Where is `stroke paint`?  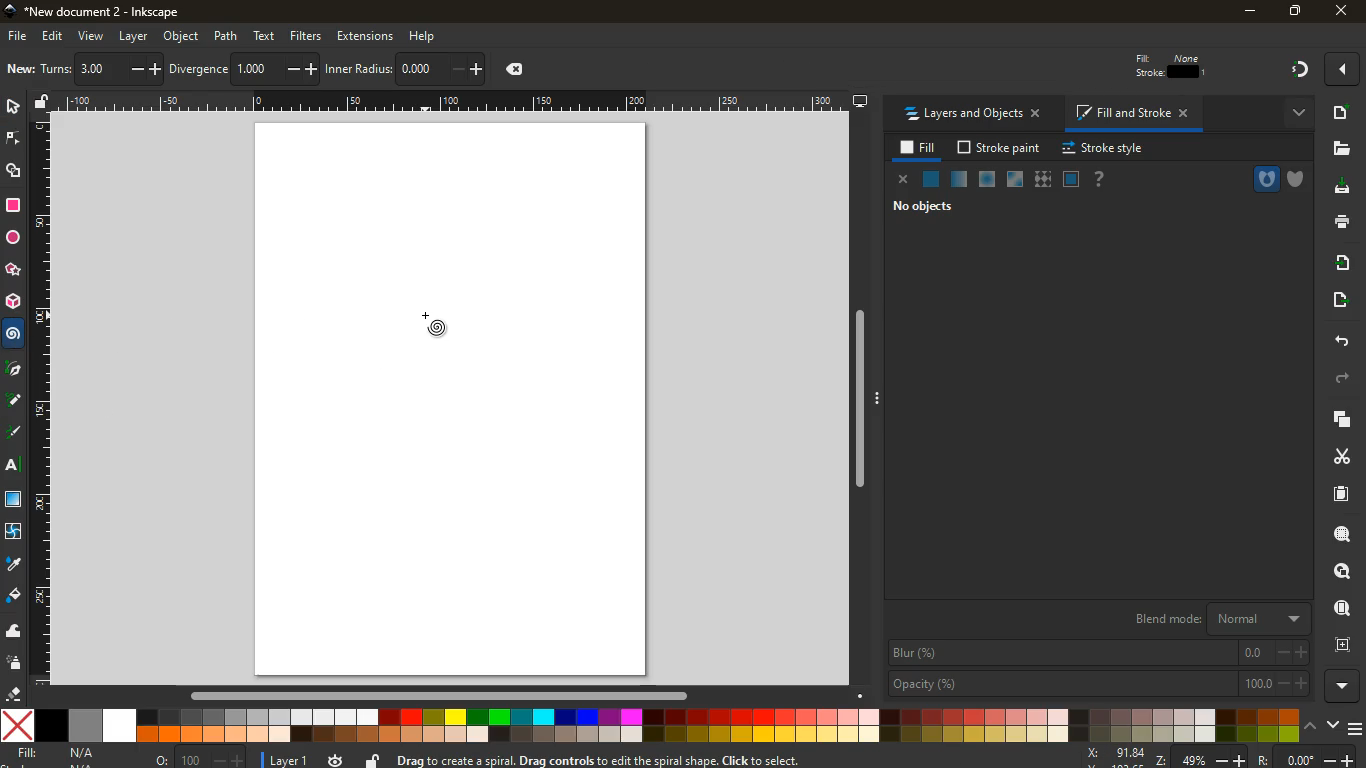
stroke paint is located at coordinates (1000, 148).